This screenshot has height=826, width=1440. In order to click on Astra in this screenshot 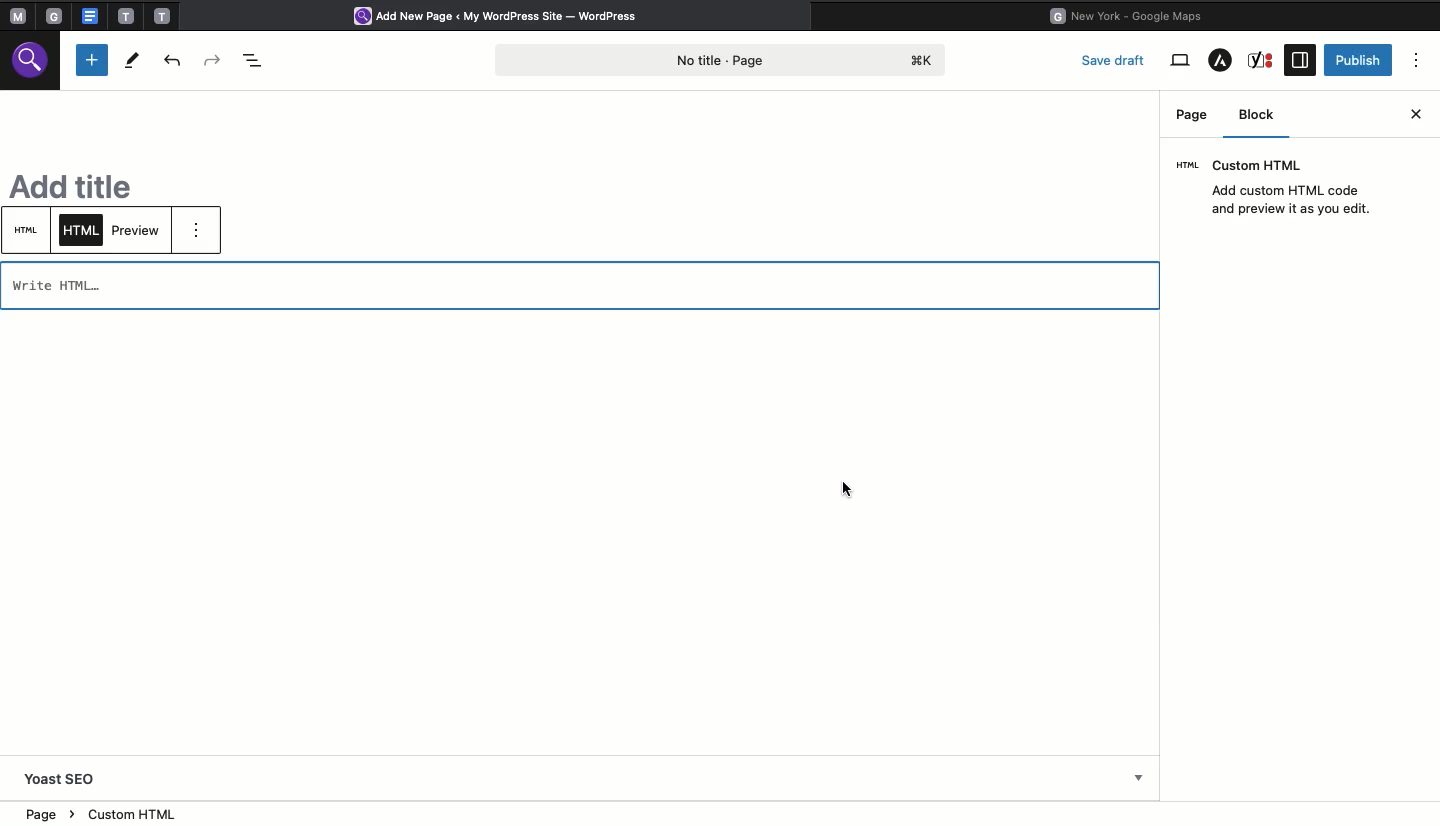, I will do `click(1220, 62)`.